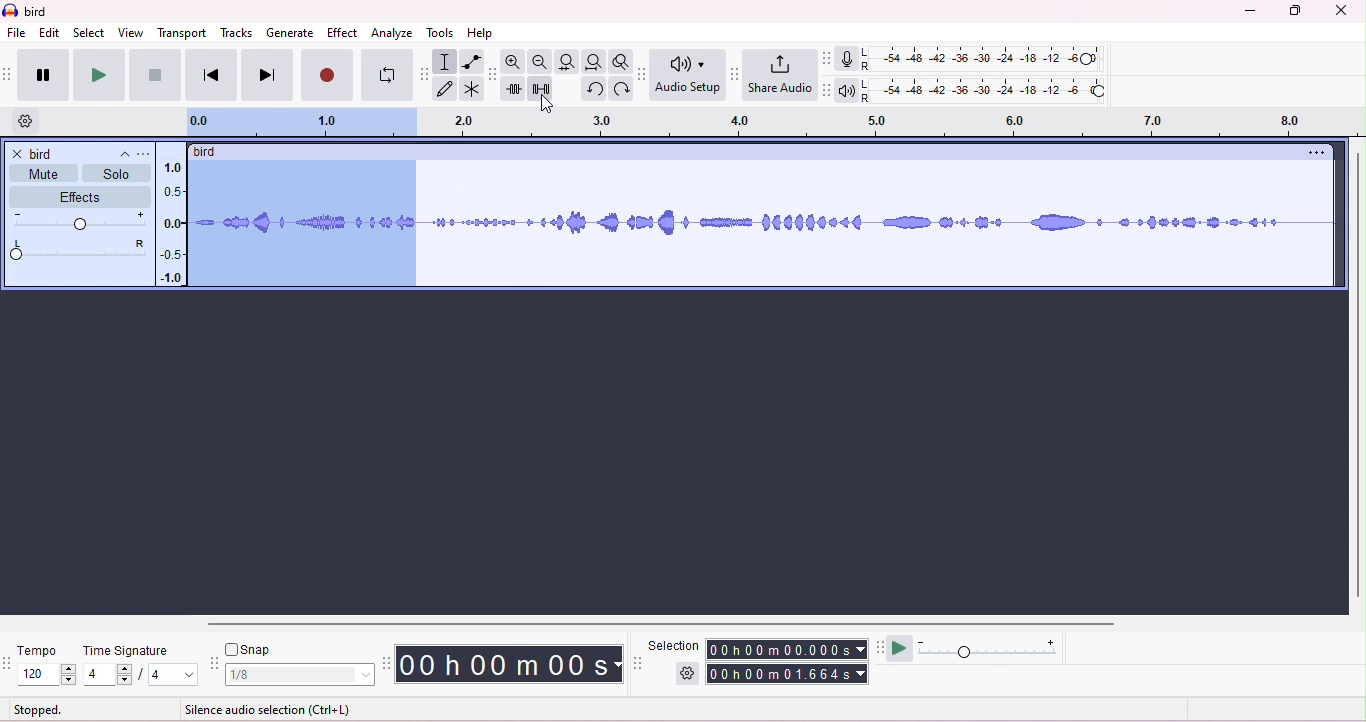  Describe the element at coordinates (11, 12) in the screenshot. I see `logo` at that location.